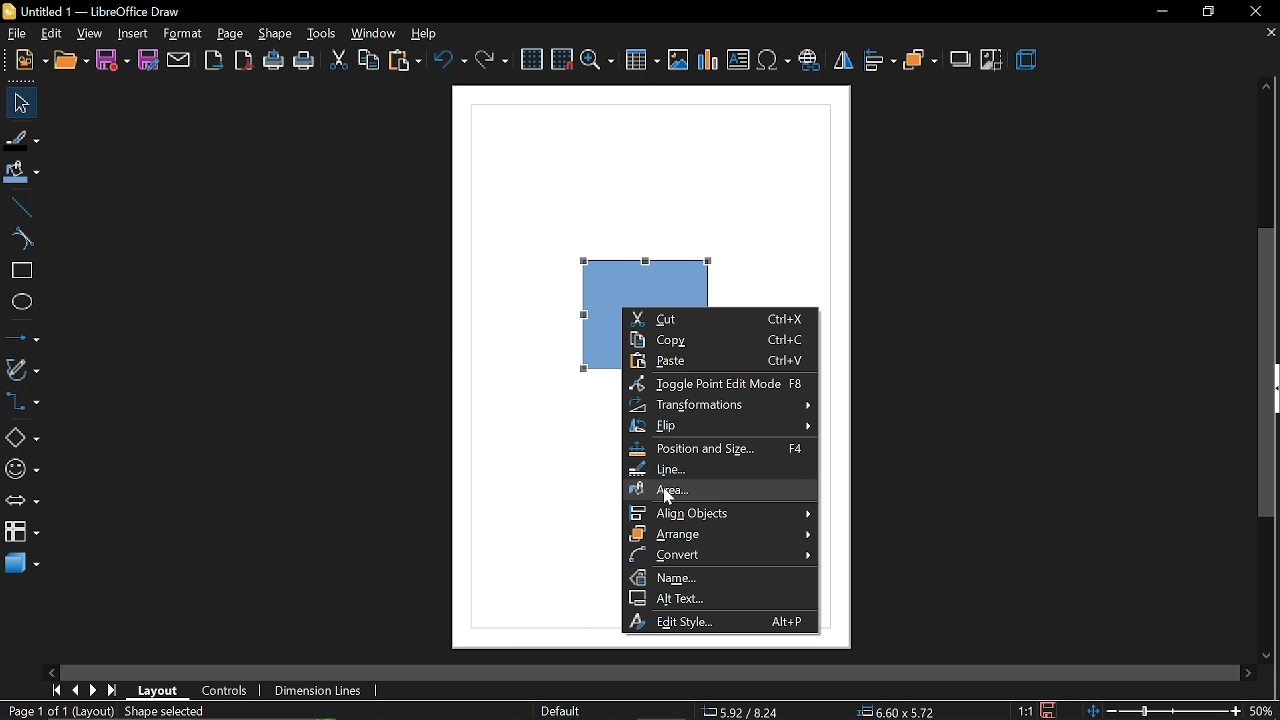 This screenshot has width=1280, height=720. What do you see at coordinates (1260, 11) in the screenshot?
I see `close` at bounding box center [1260, 11].